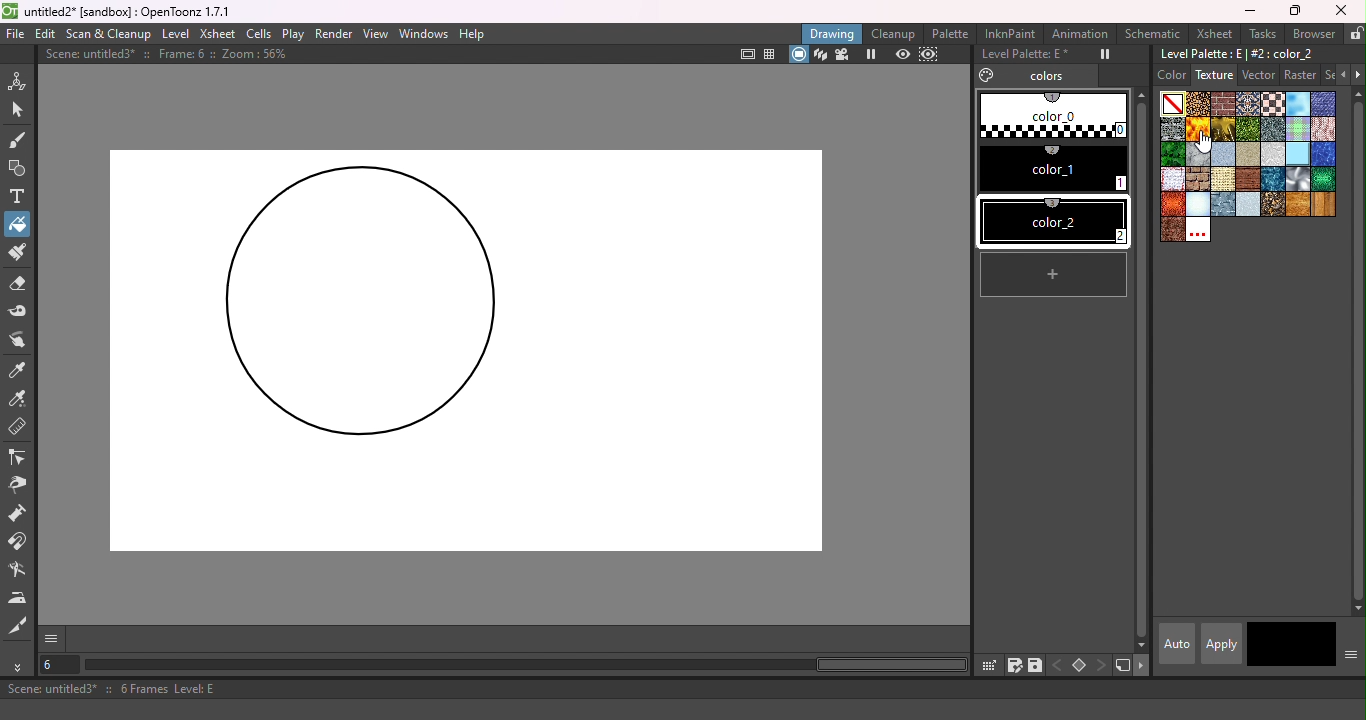 Image resolution: width=1366 pixels, height=720 pixels. Describe the element at coordinates (1034, 76) in the screenshot. I see `Colors` at that location.